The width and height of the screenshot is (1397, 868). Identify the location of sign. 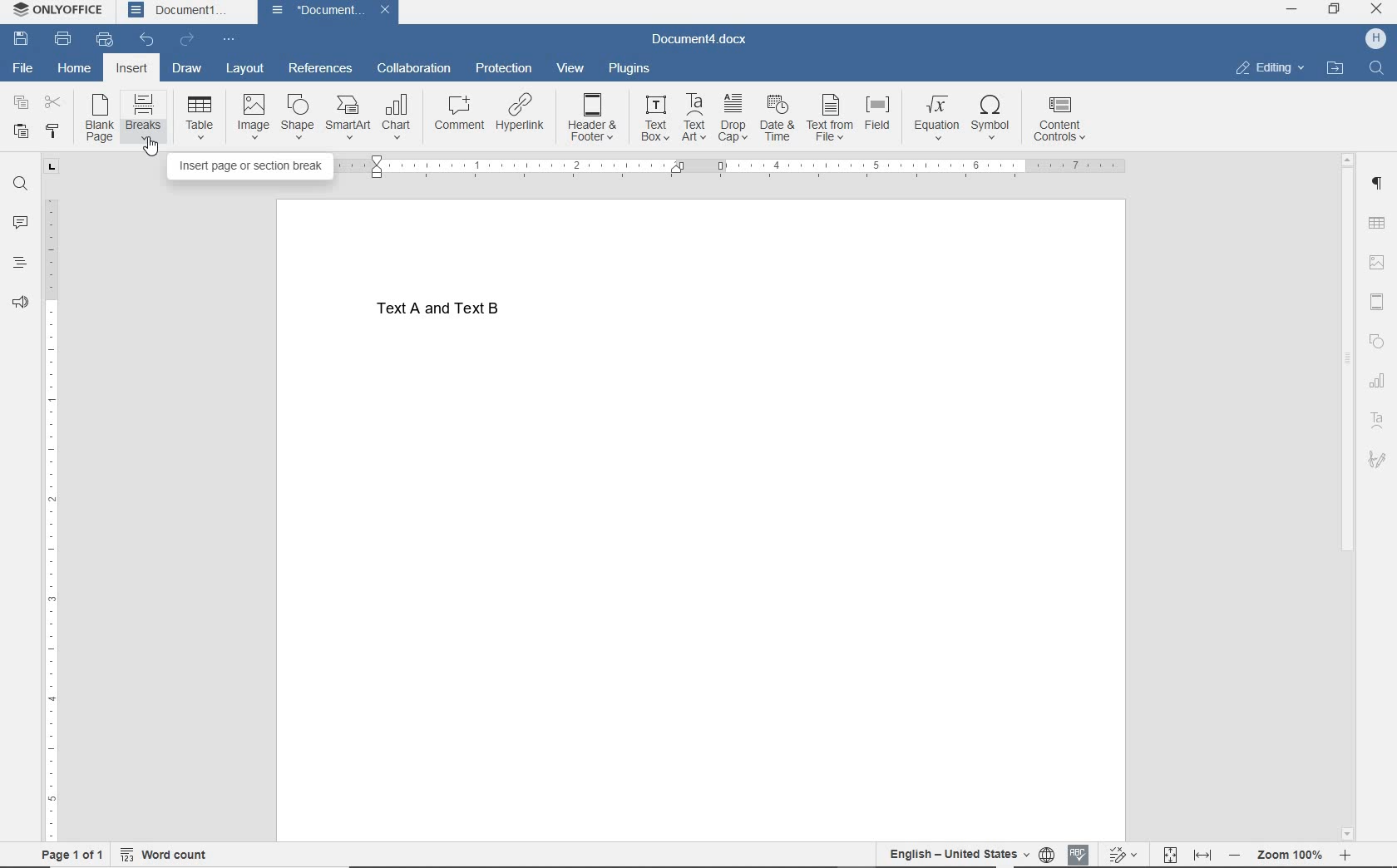
(1377, 459).